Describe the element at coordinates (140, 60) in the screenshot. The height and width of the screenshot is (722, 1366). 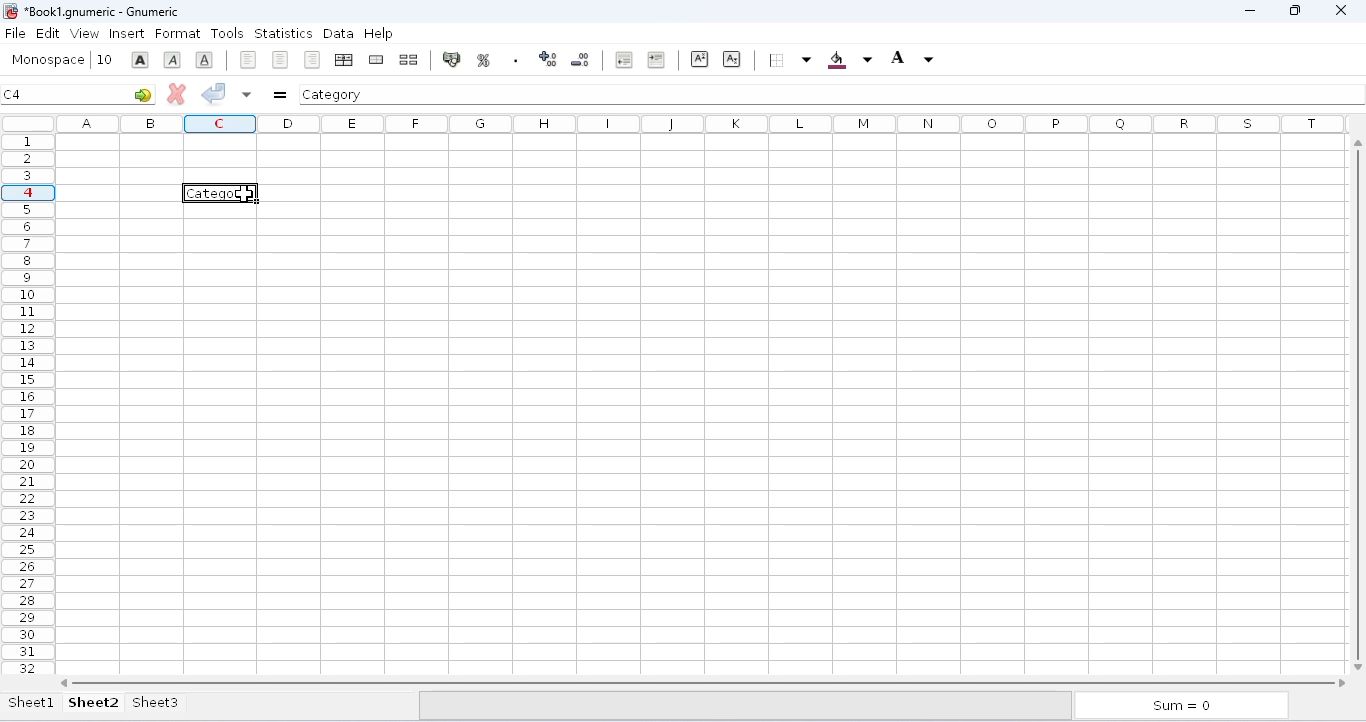
I see `bold` at that location.